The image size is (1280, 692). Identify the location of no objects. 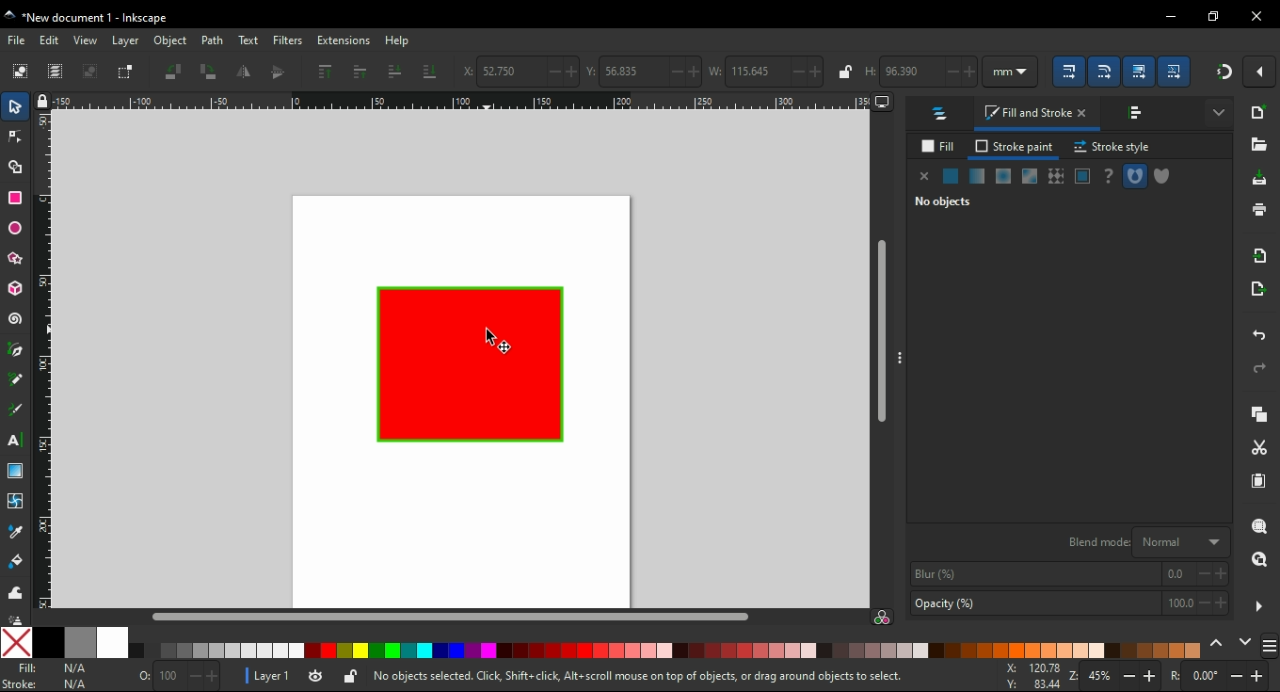
(941, 201).